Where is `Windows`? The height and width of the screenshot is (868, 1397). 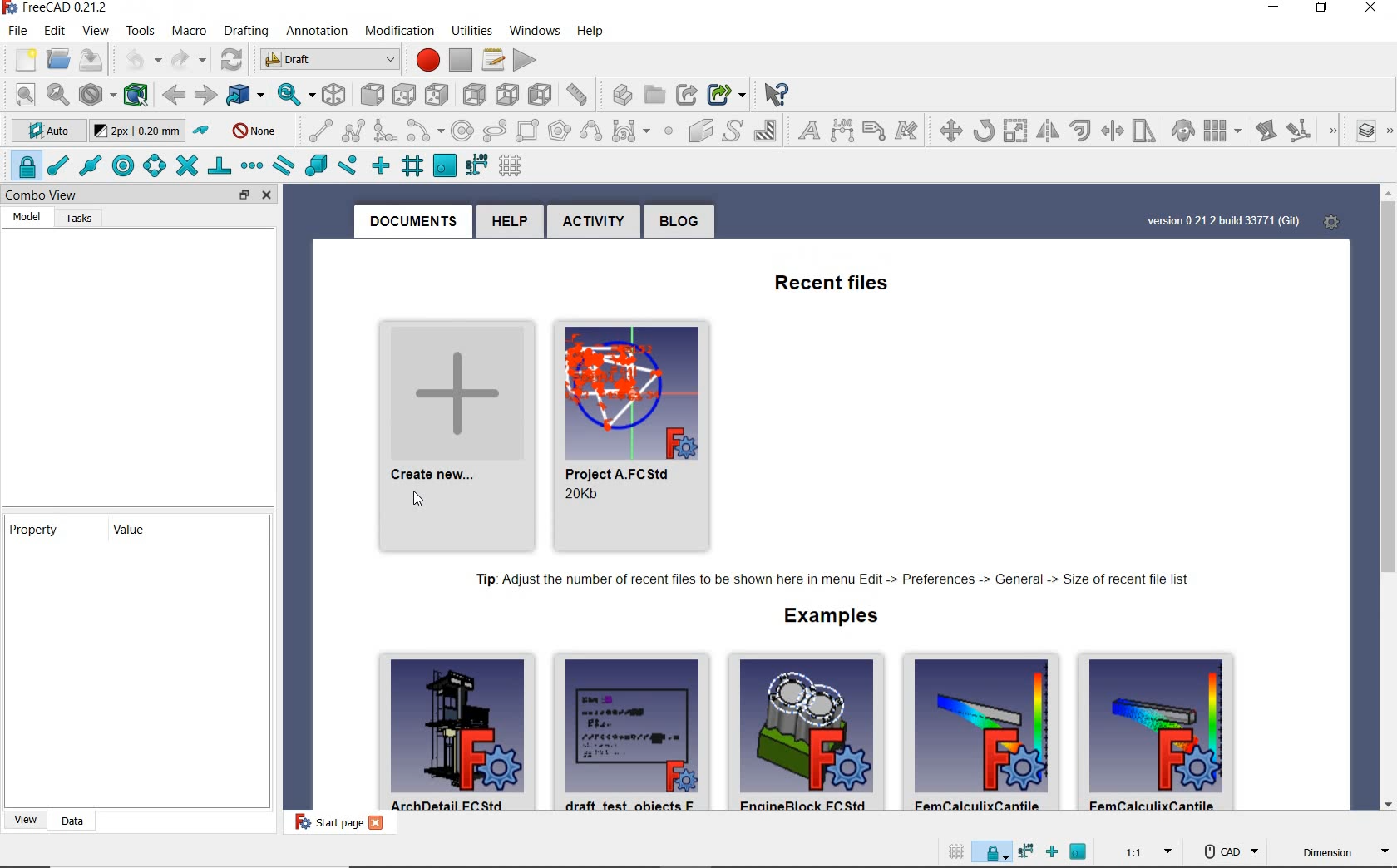 Windows is located at coordinates (534, 32).